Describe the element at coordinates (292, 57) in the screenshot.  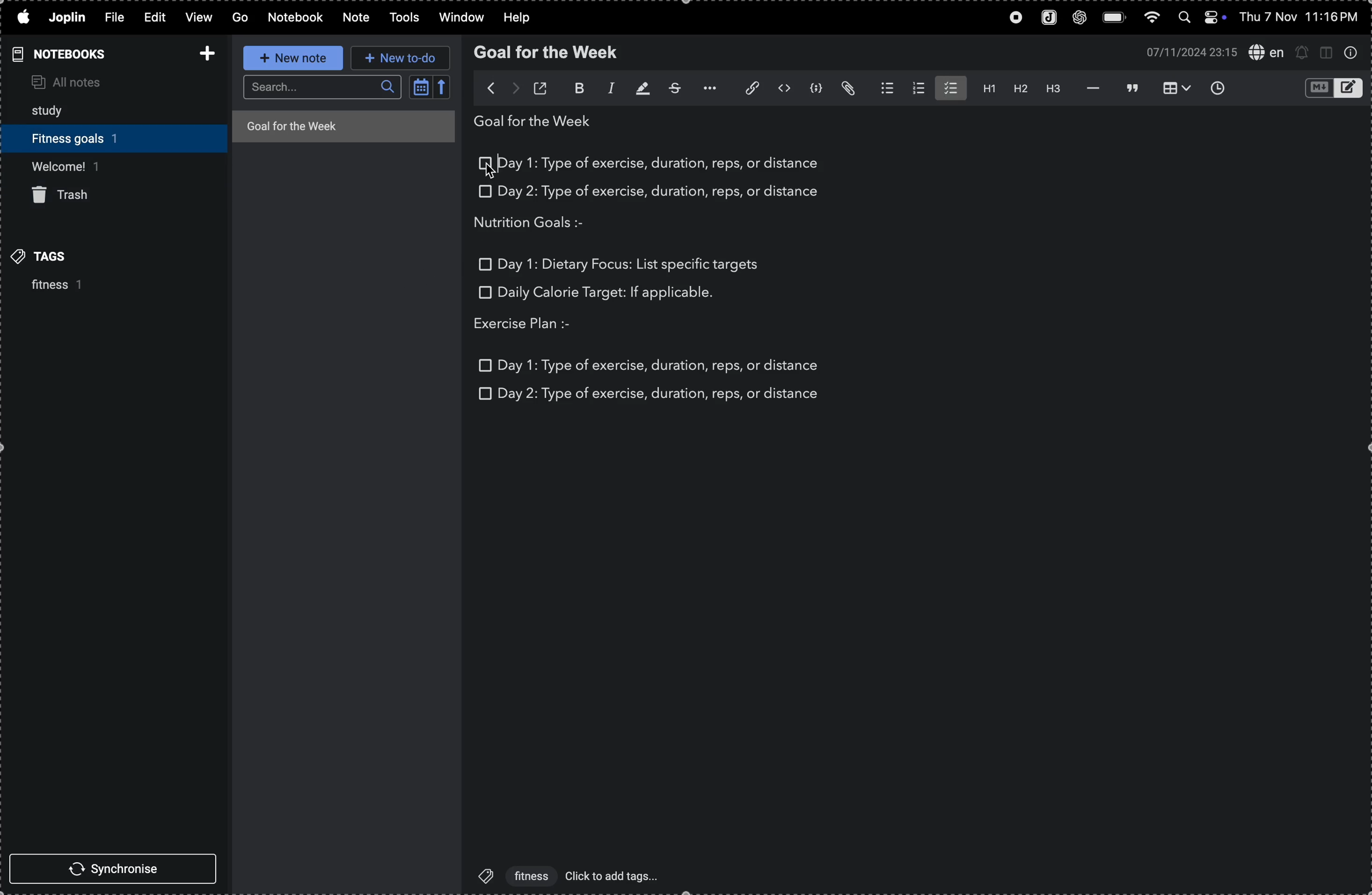
I see `new note` at that location.